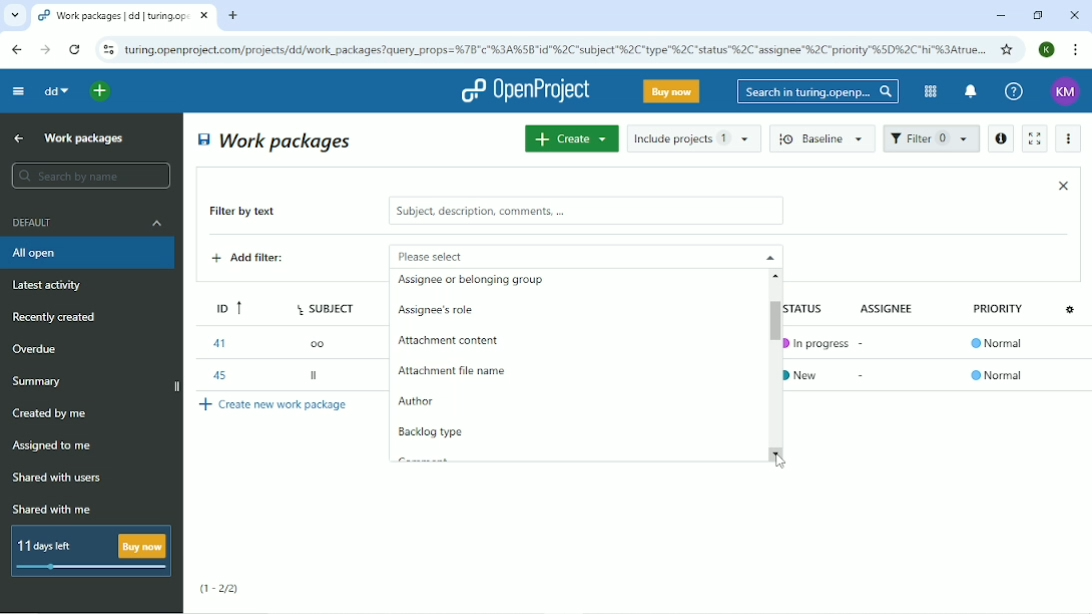 The width and height of the screenshot is (1092, 614). I want to click on Shared with users, so click(58, 478).